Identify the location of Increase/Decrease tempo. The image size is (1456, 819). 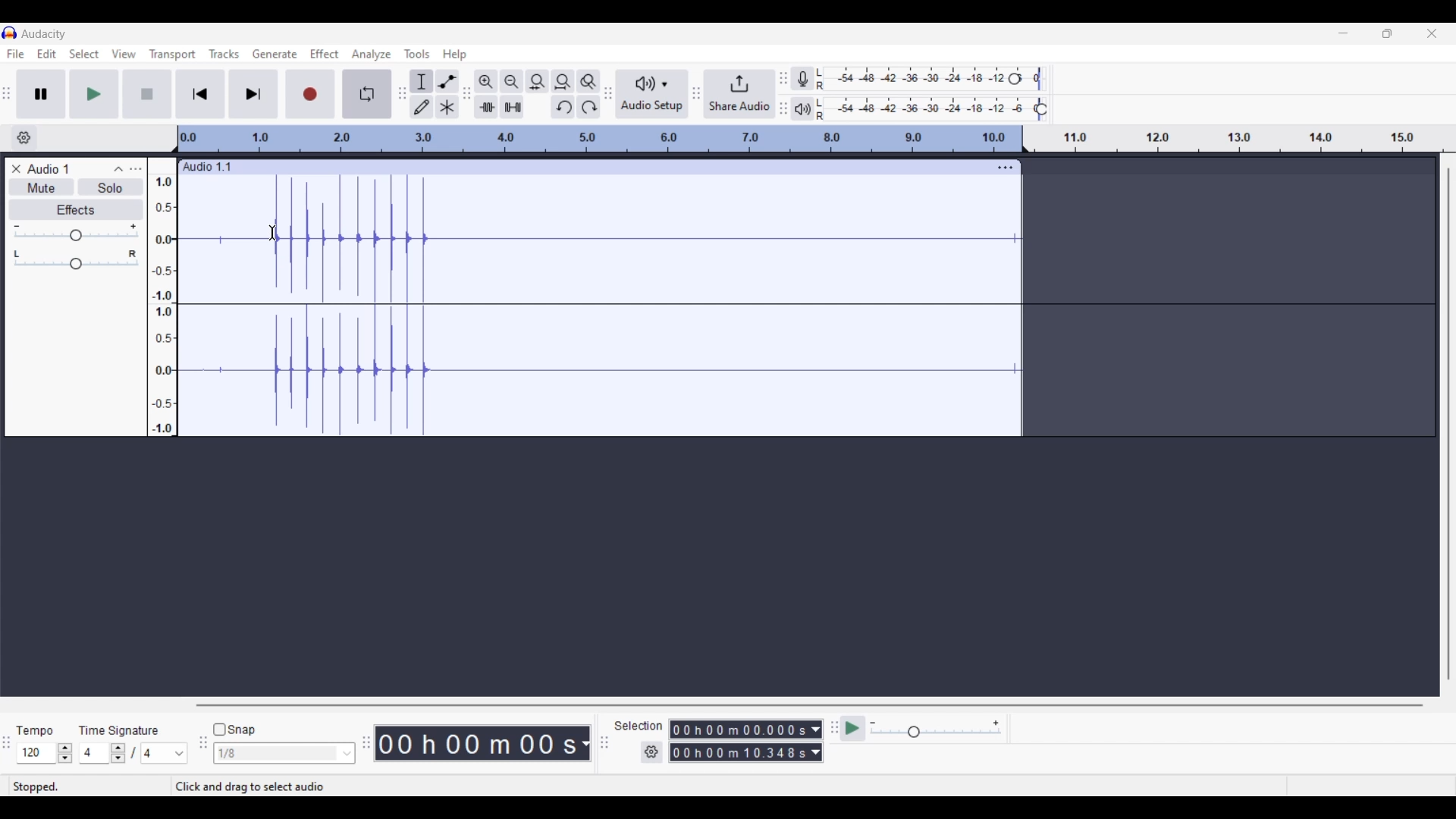
(64, 754).